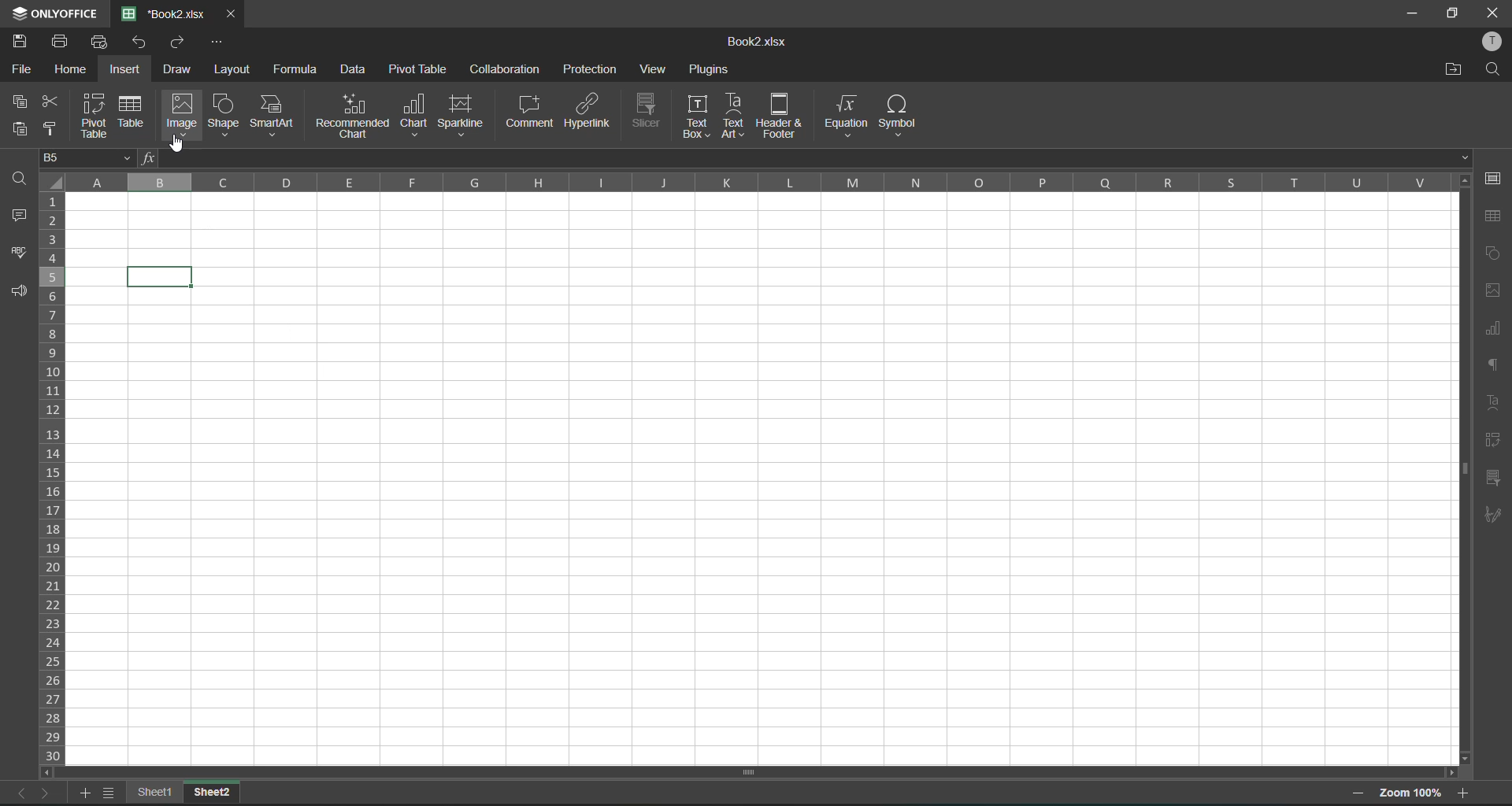 This screenshot has height=806, width=1512. What do you see at coordinates (1494, 216) in the screenshot?
I see `table` at bounding box center [1494, 216].